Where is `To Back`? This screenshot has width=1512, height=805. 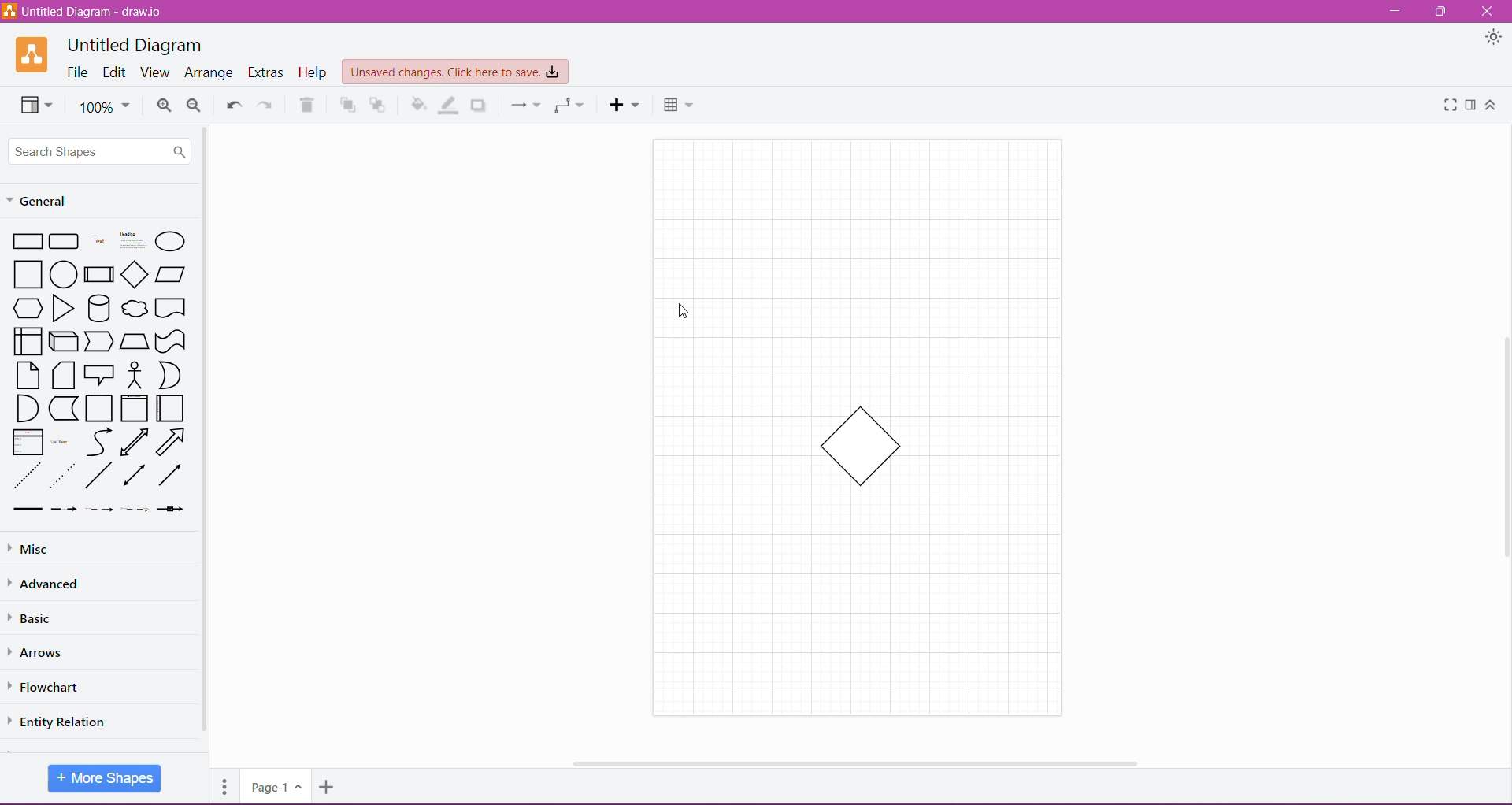 To Back is located at coordinates (380, 105).